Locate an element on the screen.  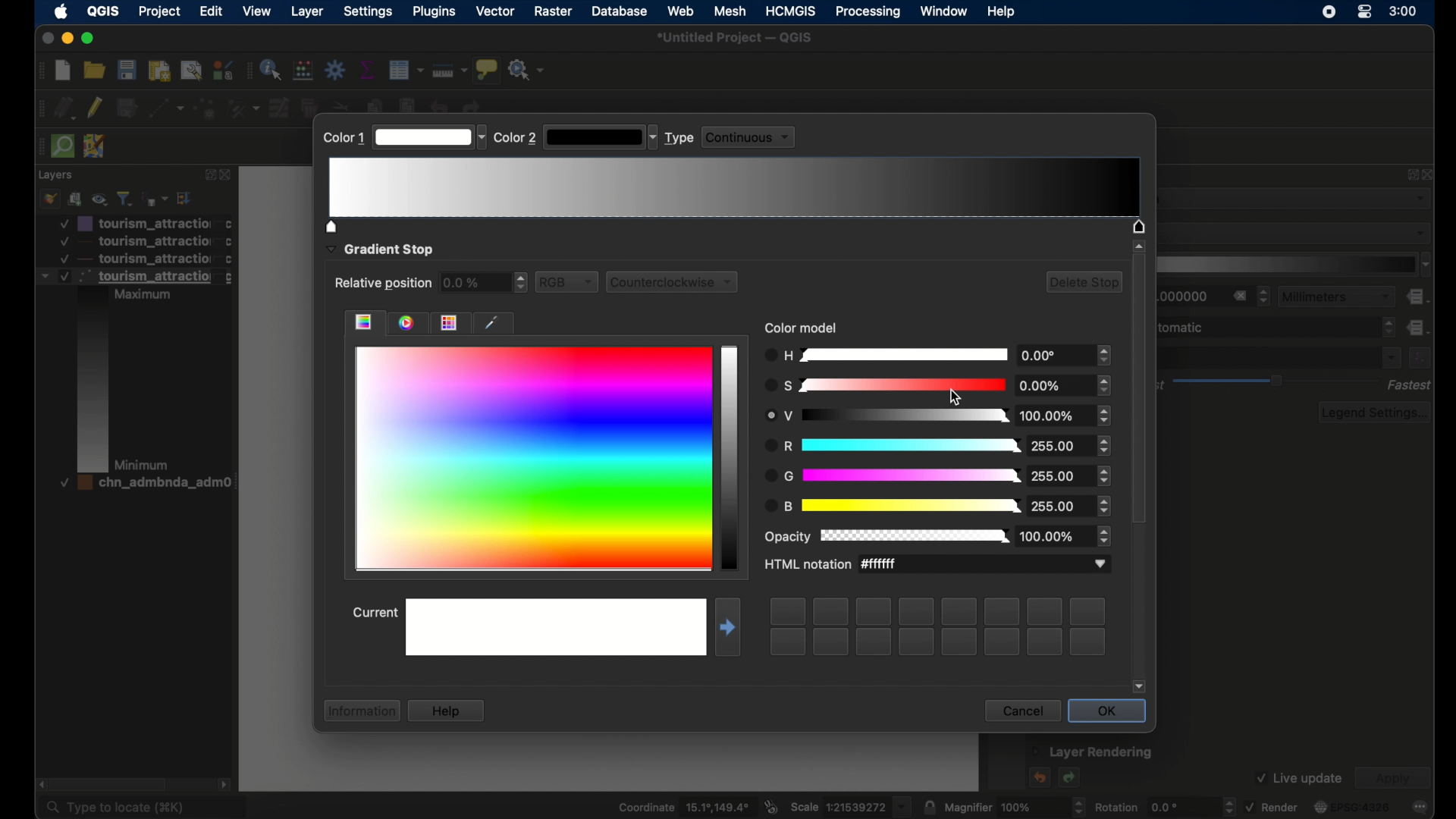
layer 1 is located at coordinates (145, 223).